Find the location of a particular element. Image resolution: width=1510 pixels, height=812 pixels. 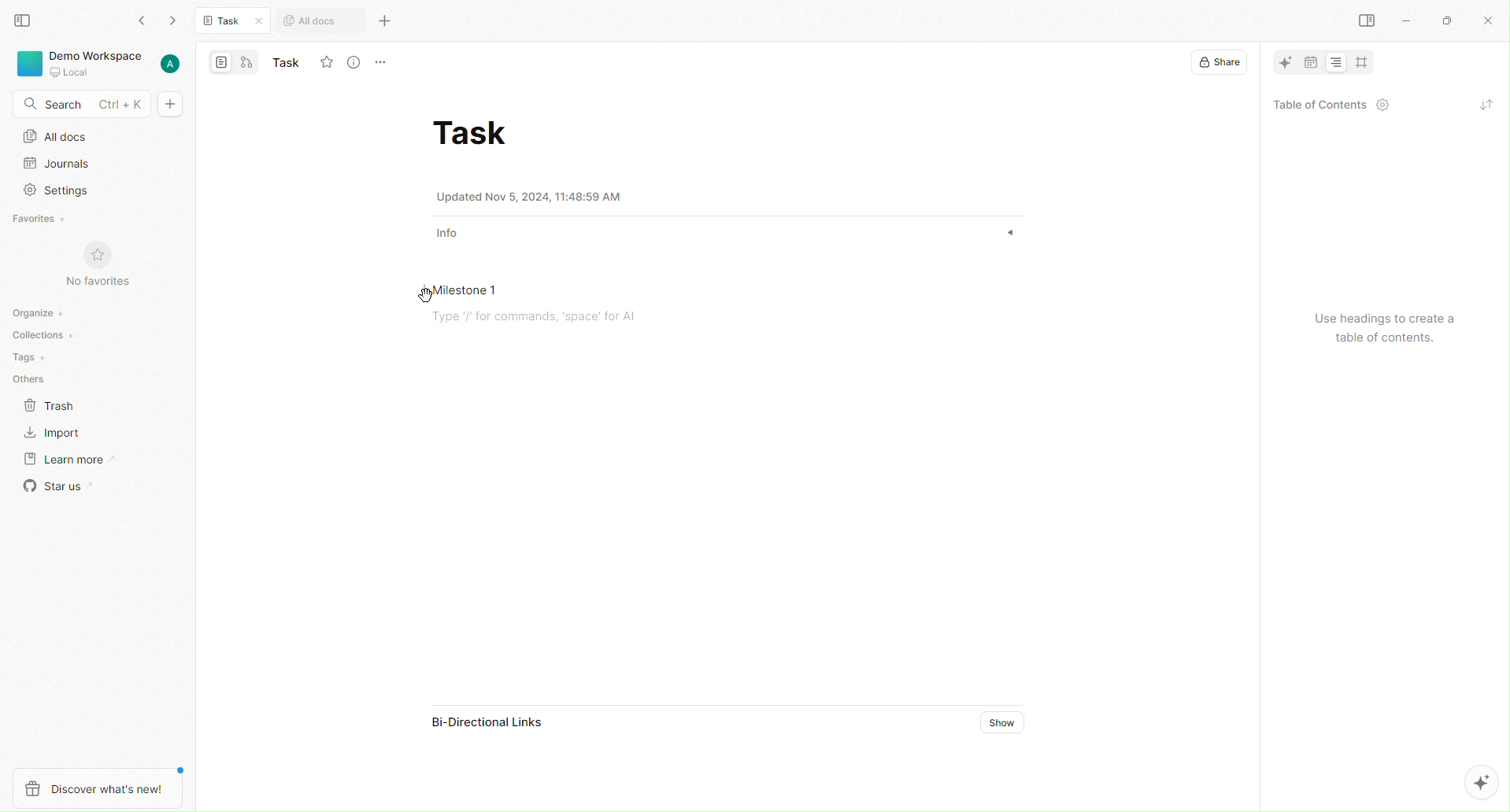

View is located at coordinates (20, 21).